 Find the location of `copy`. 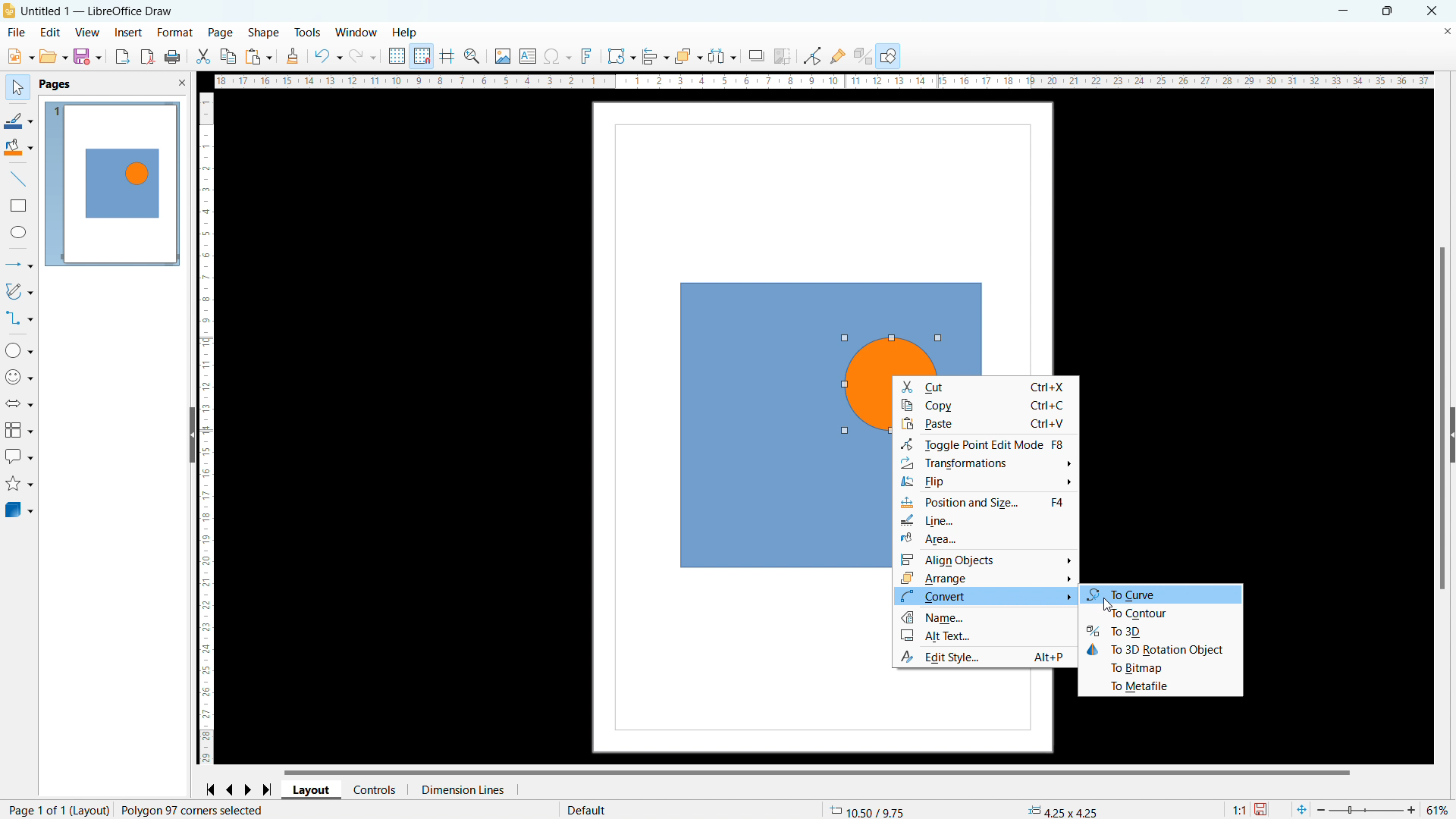

copy is located at coordinates (985, 405).